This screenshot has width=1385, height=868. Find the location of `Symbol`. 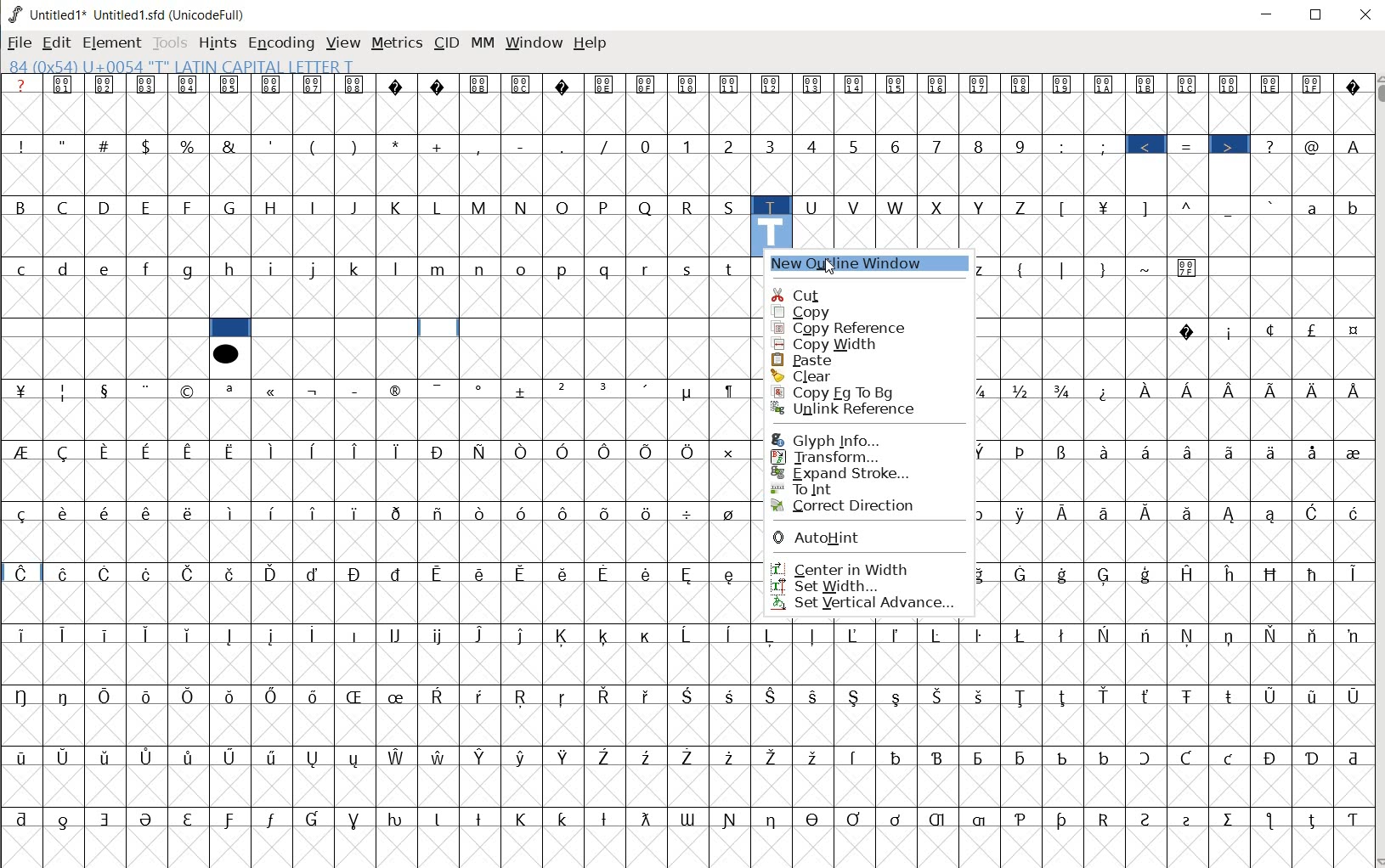

Symbol is located at coordinates (565, 637).